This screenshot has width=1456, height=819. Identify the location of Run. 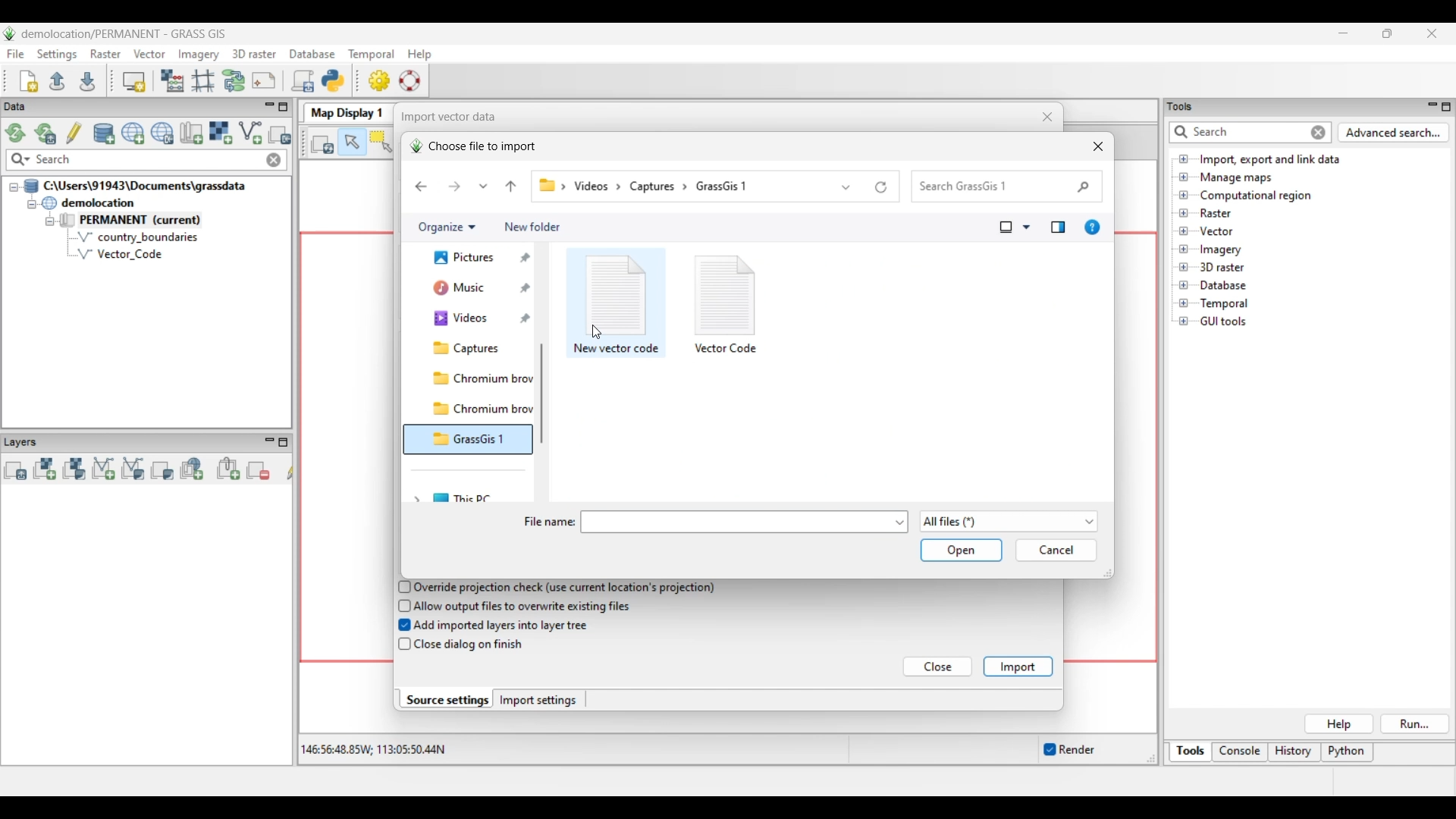
(1416, 724).